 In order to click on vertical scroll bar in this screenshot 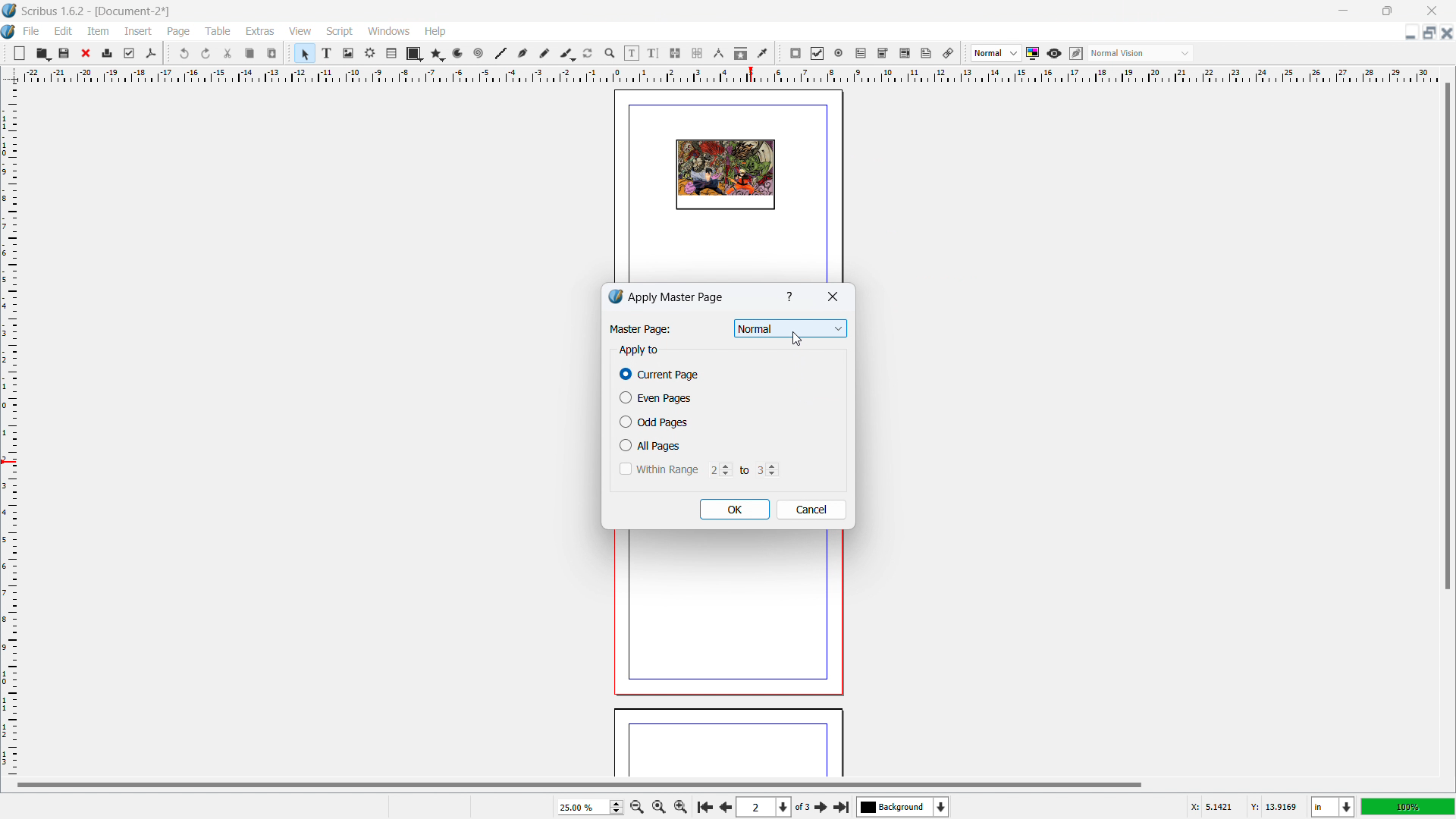, I will do `click(1445, 339)`.